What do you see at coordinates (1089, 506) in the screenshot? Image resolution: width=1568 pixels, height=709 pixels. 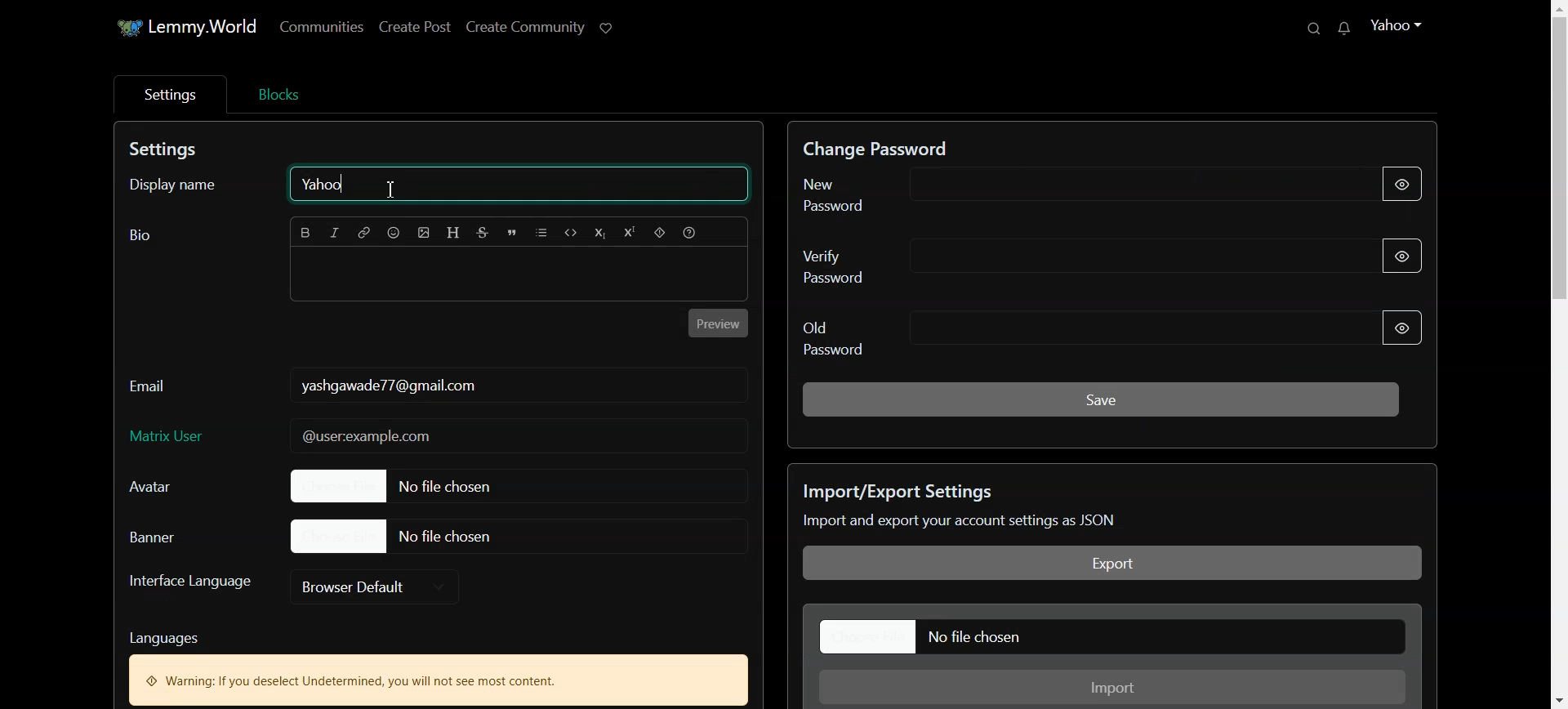 I see `Text` at bounding box center [1089, 506].